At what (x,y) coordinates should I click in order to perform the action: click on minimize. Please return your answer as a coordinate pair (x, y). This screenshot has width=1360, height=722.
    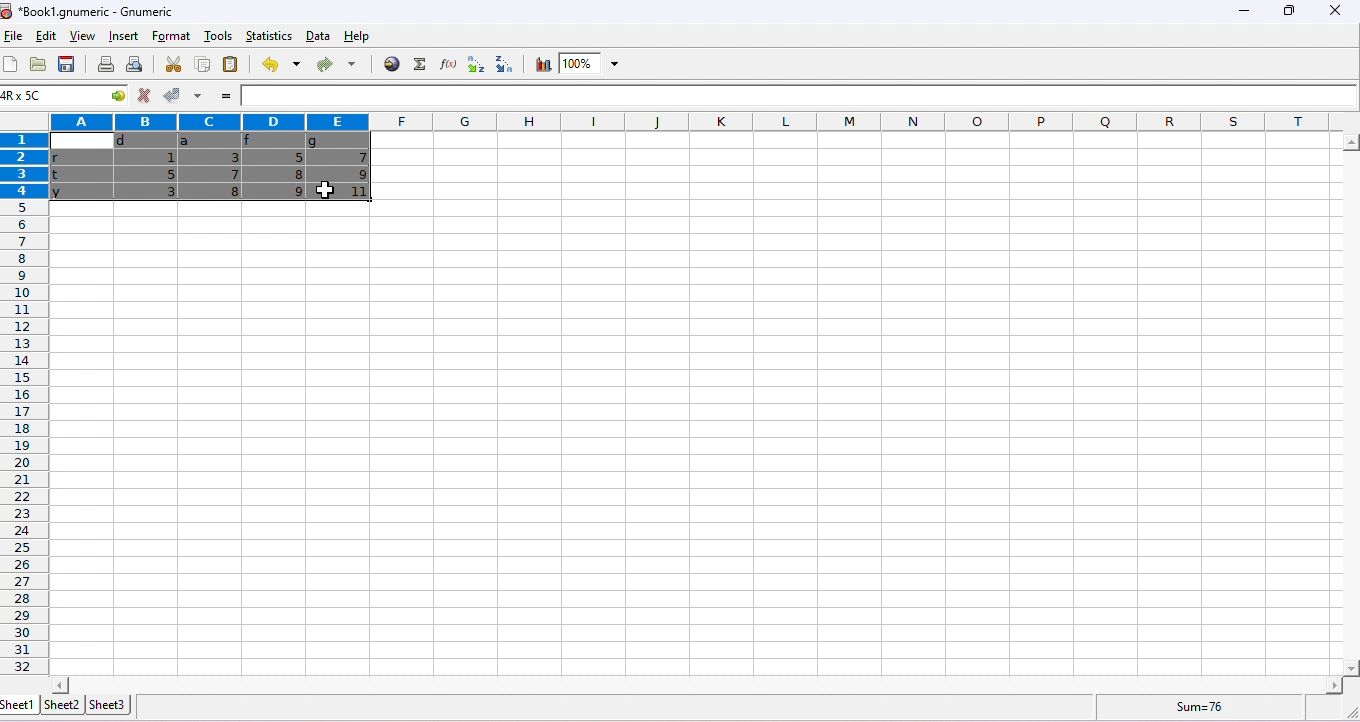
    Looking at the image, I should click on (1241, 14).